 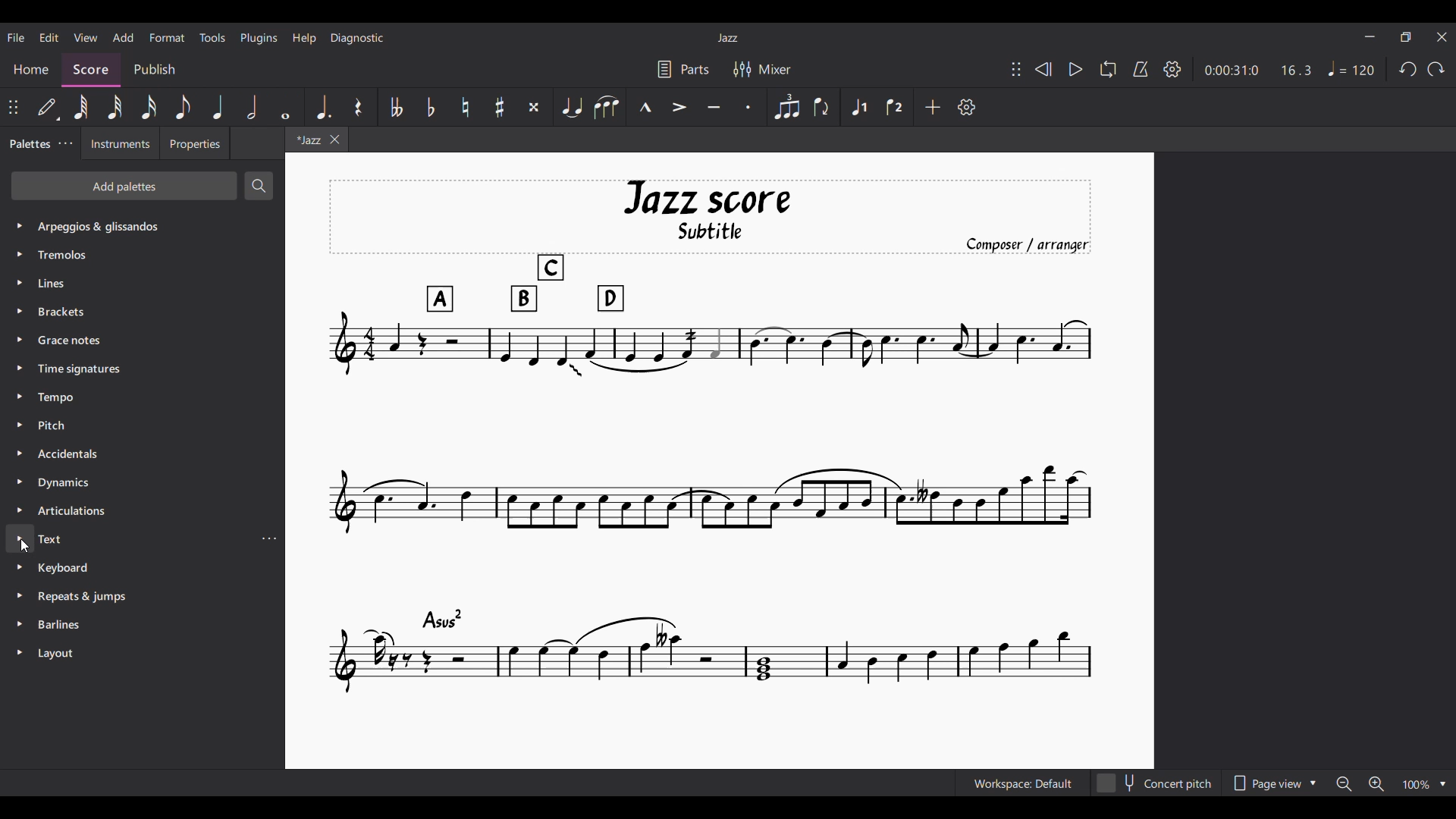 What do you see at coordinates (534, 106) in the screenshot?
I see `Toggle double sharp` at bounding box center [534, 106].